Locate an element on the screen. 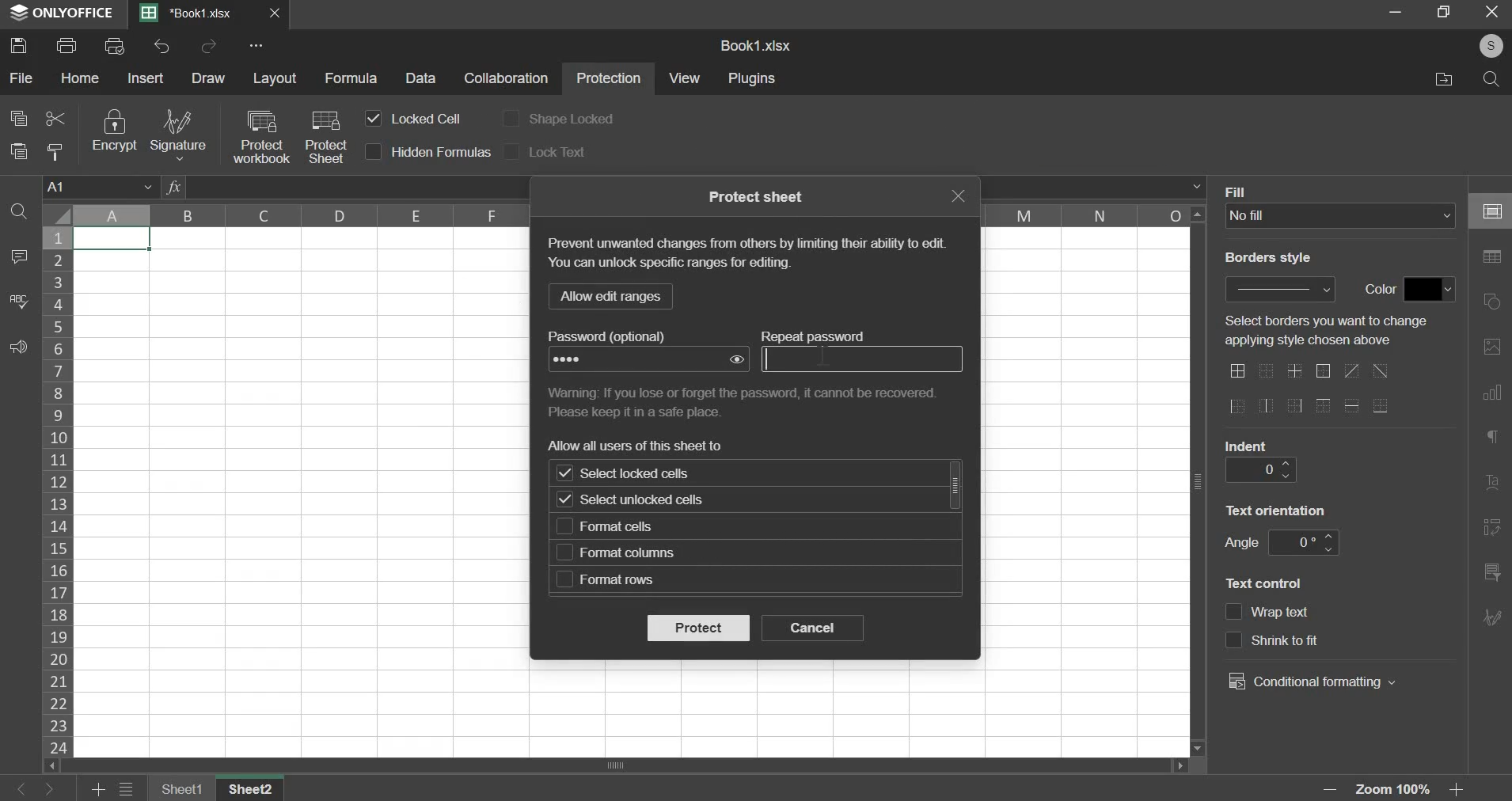  left is located at coordinates (24, 790).